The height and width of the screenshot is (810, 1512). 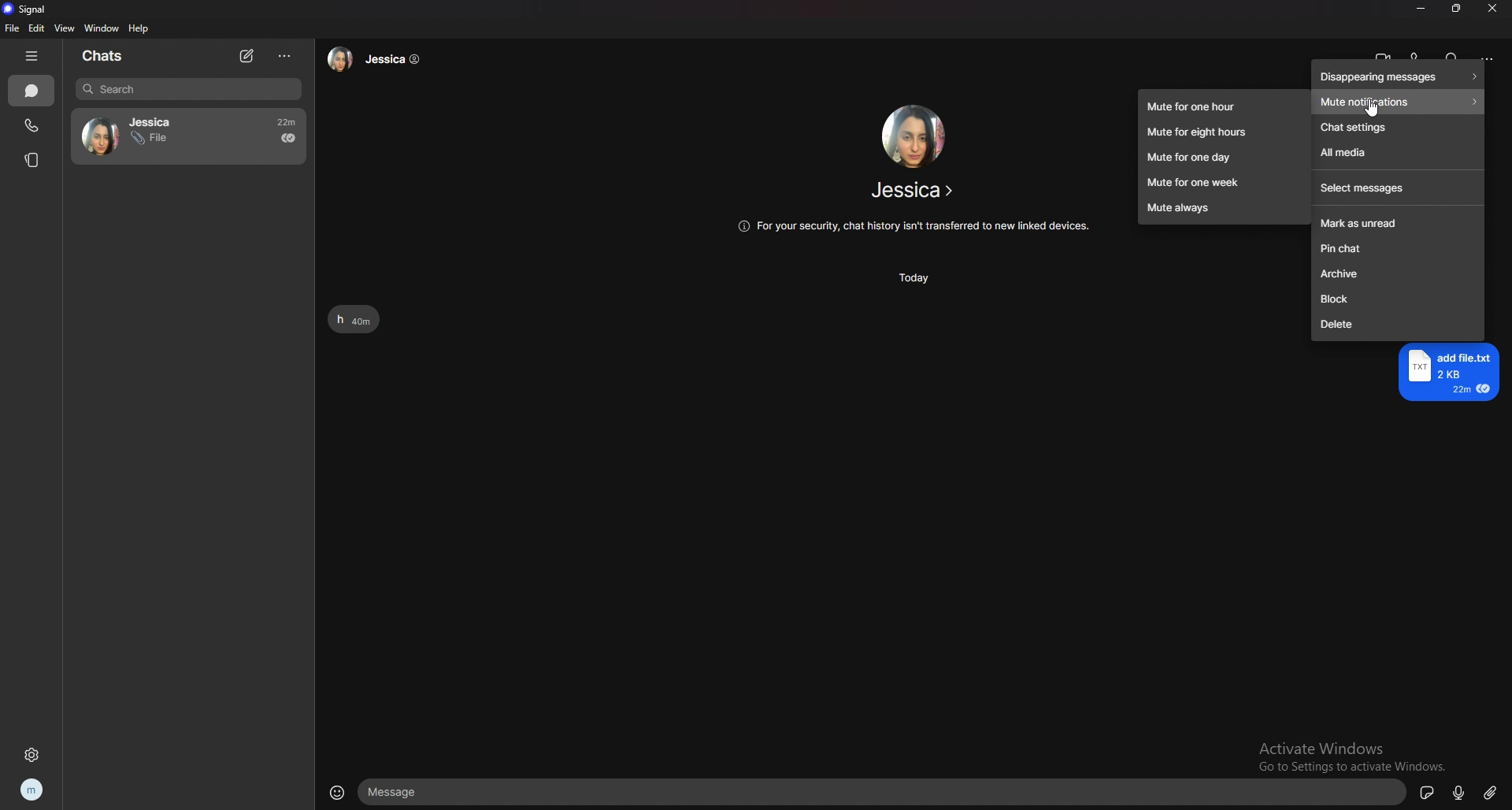 I want to click on pin chat, so click(x=1395, y=251).